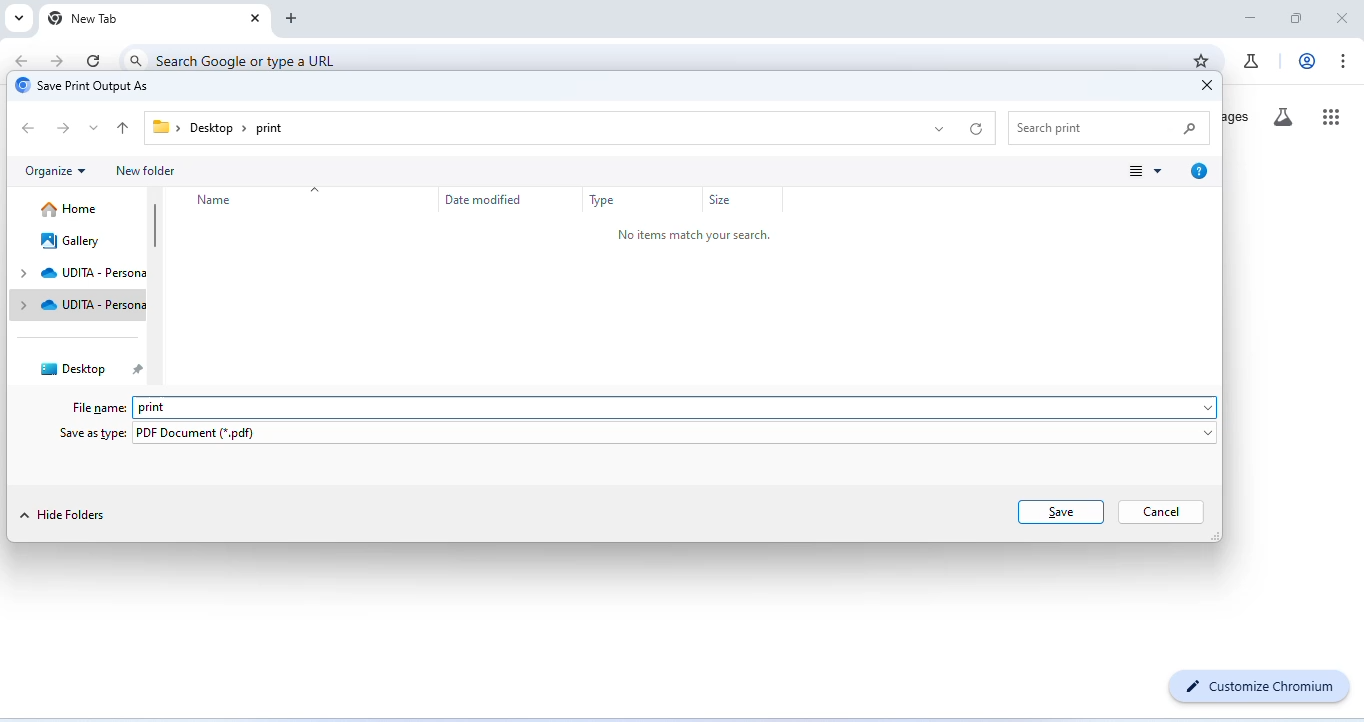 The image size is (1364, 722). I want to click on home, so click(73, 209).